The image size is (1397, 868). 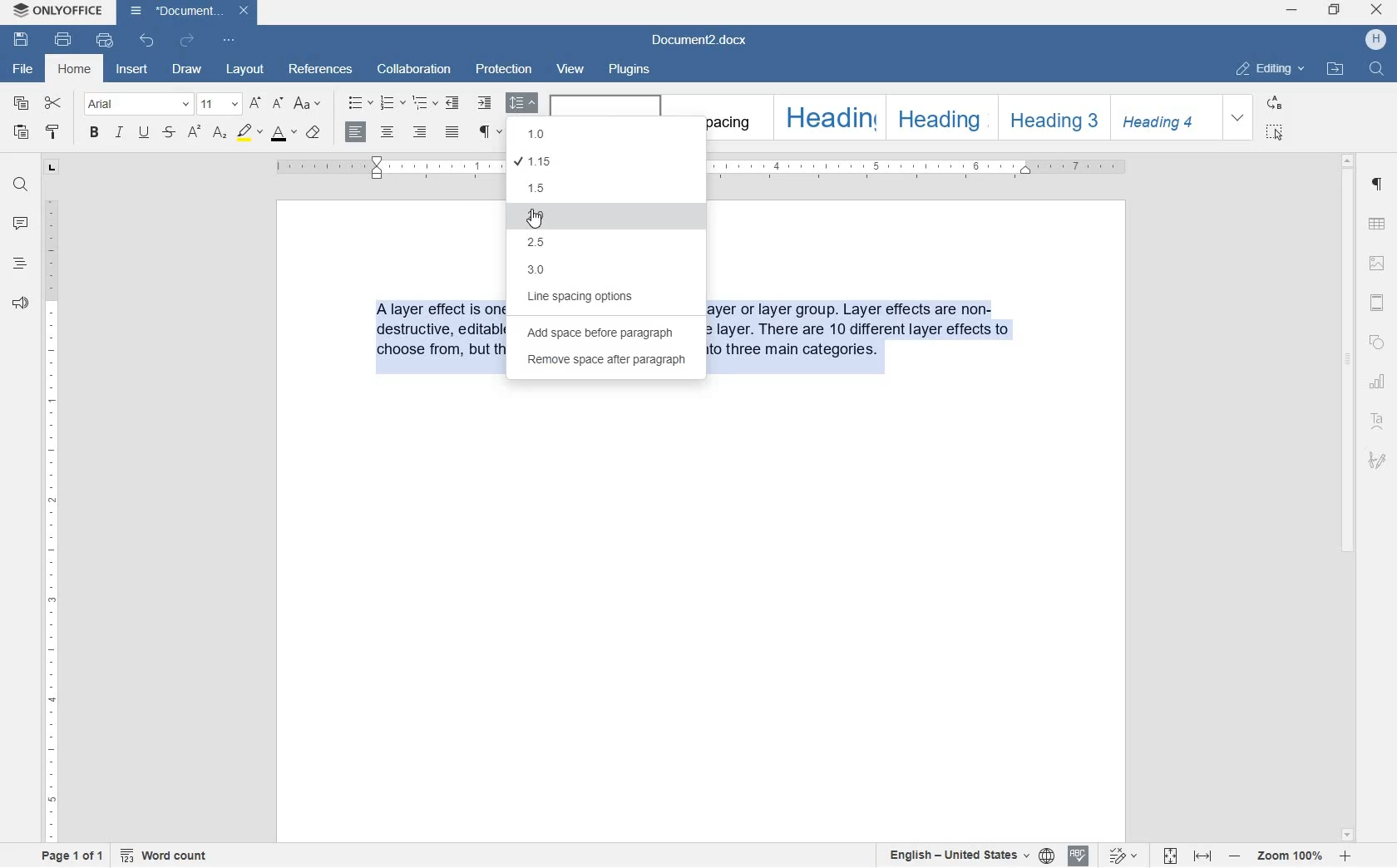 I want to click on paste, so click(x=23, y=133).